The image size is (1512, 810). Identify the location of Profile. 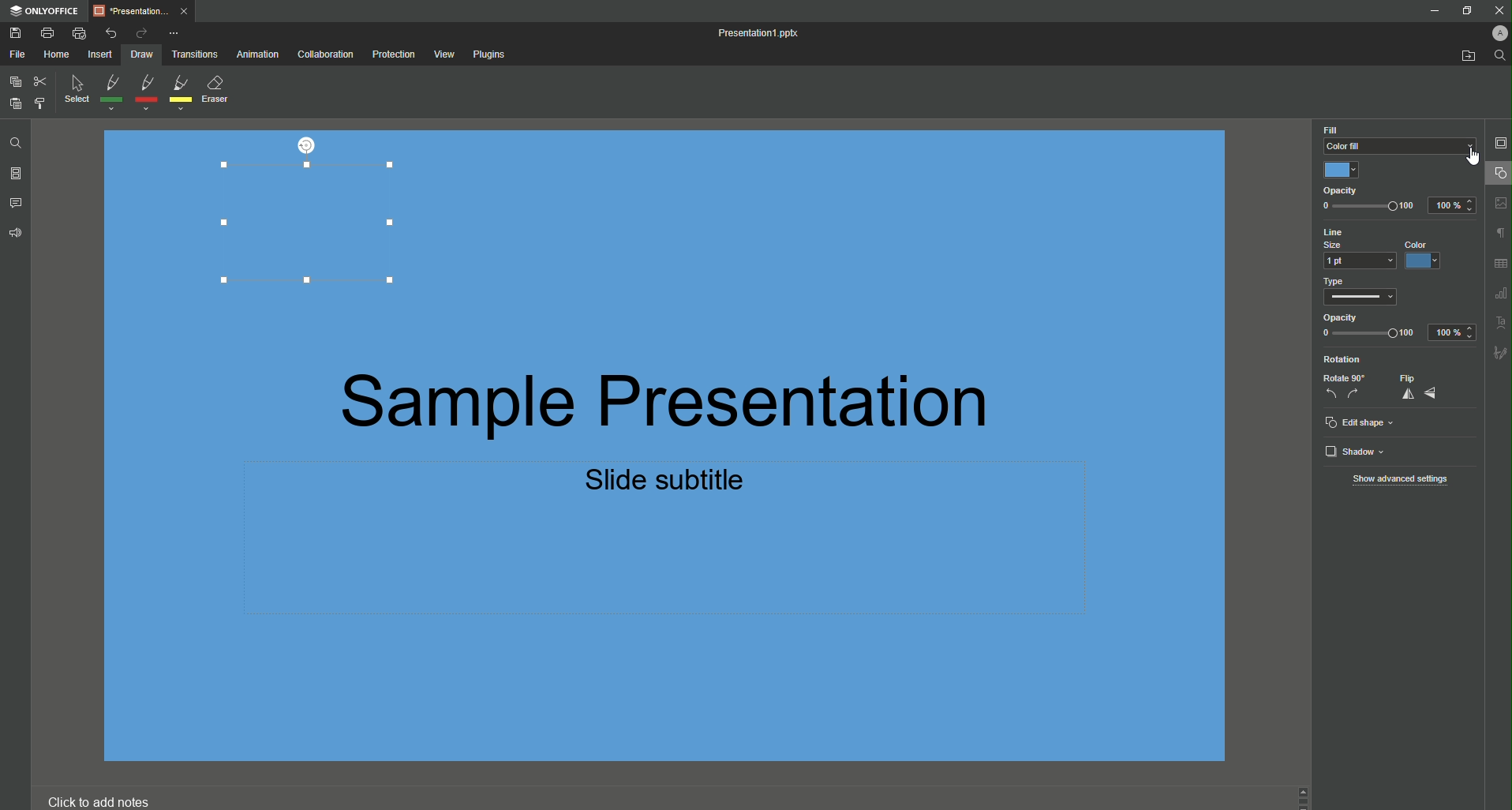
(1499, 33).